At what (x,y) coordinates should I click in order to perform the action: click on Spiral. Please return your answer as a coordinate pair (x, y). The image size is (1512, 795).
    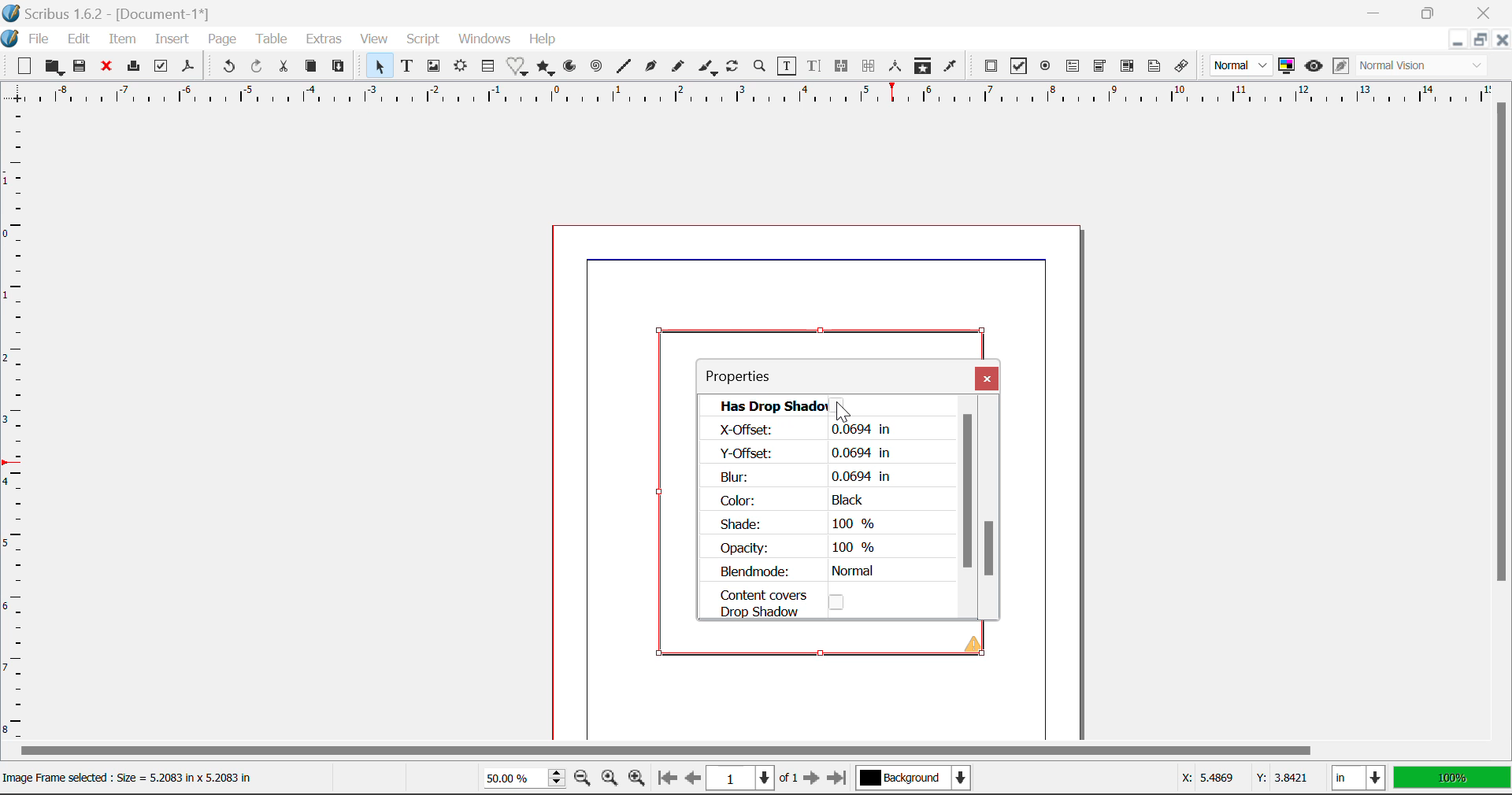
    Looking at the image, I should click on (598, 69).